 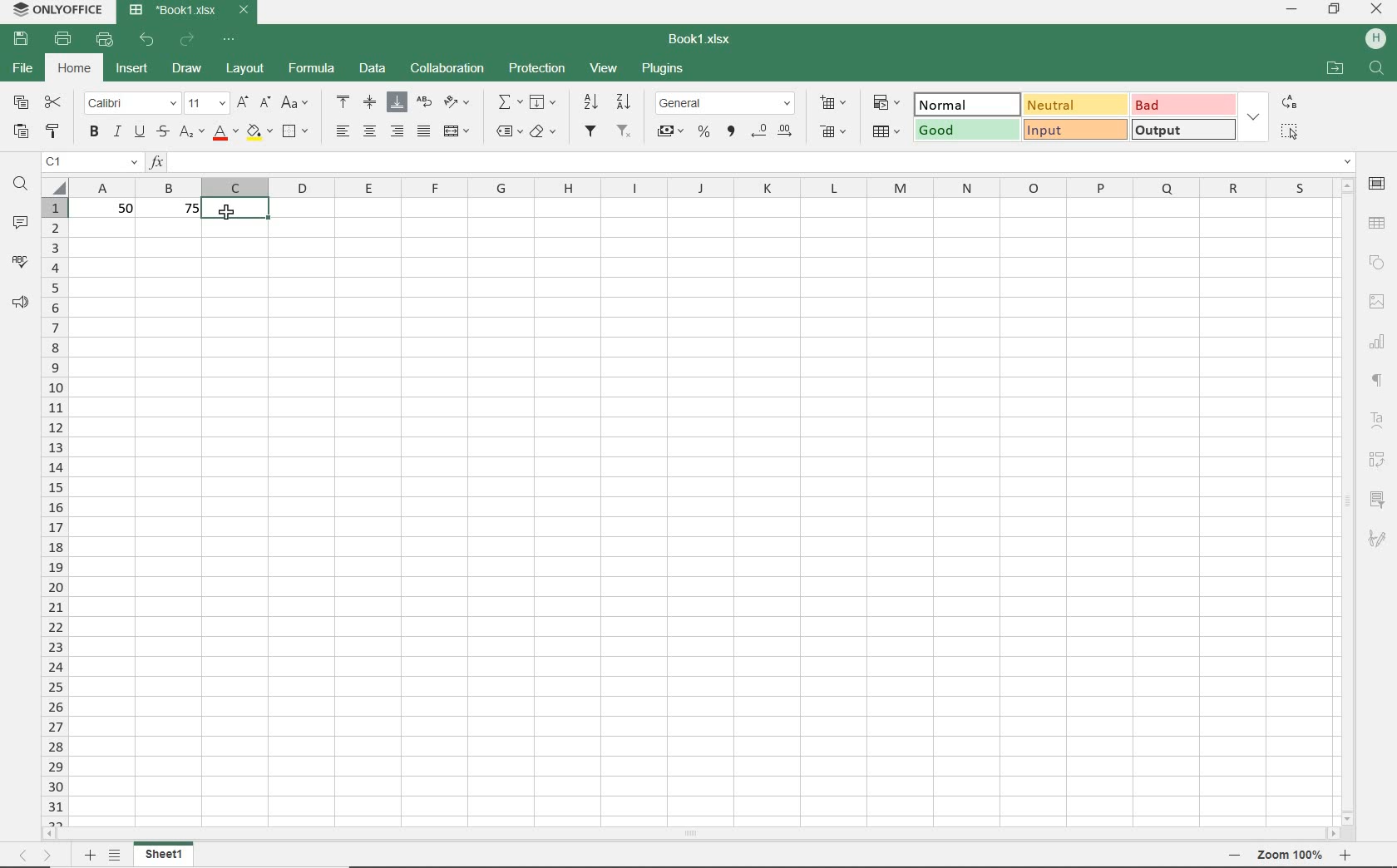 I want to click on decrease/increase decimal, so click(x=774, y=131).